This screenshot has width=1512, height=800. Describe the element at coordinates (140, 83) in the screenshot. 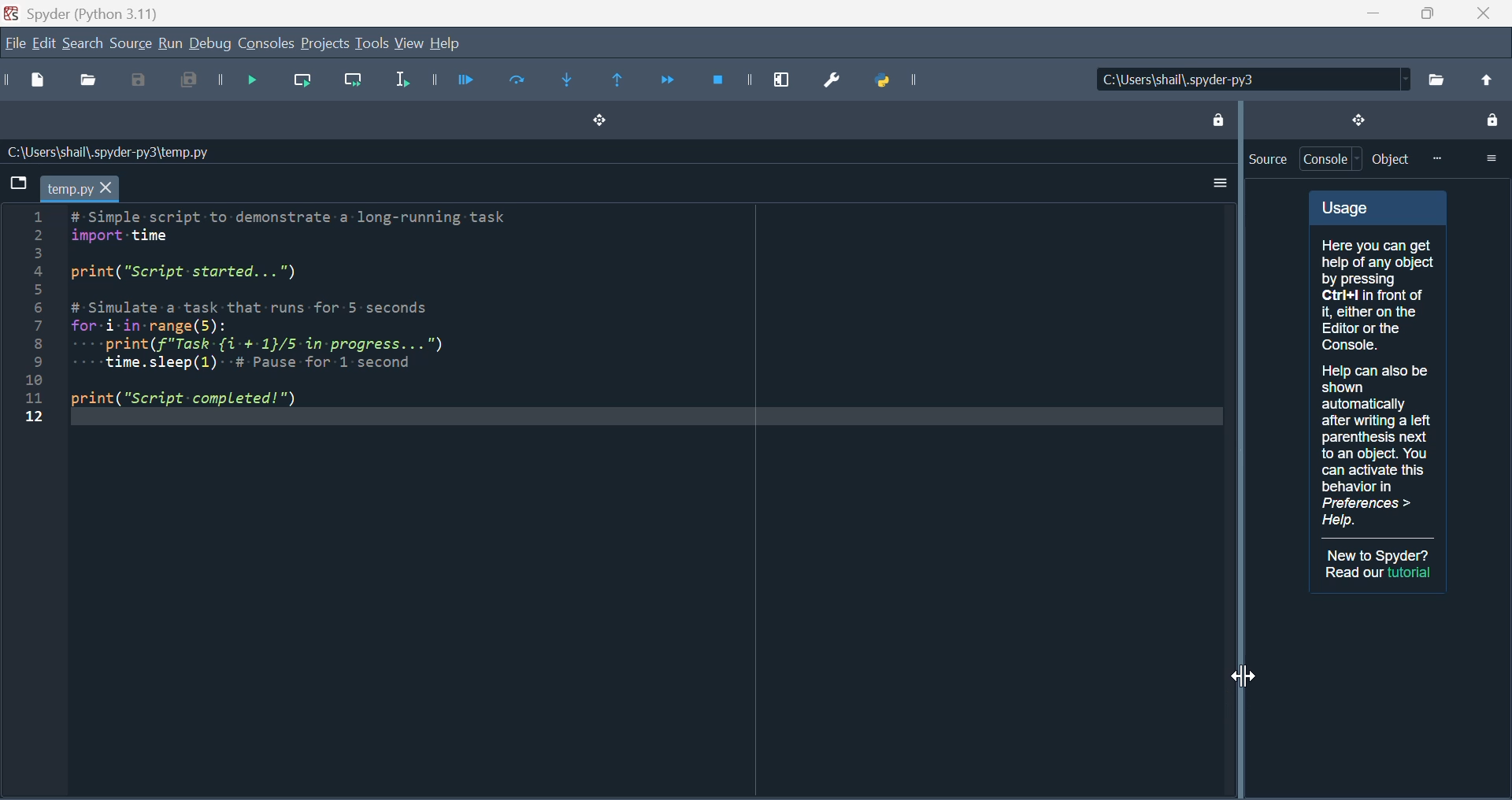

I see `Save as` at that location.